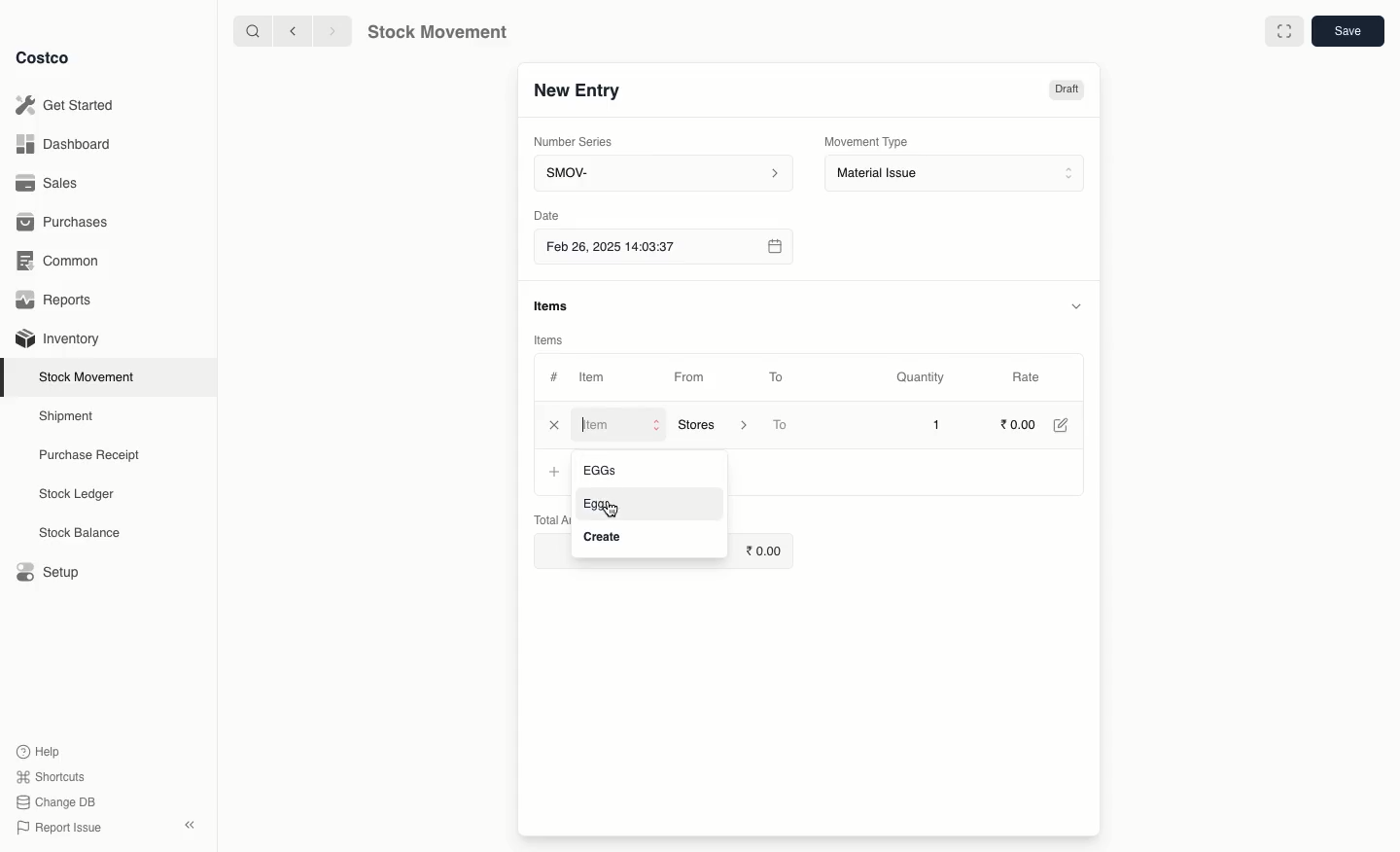 The image size is (1400, 852). I want to click on cursor, so click(612, 512).